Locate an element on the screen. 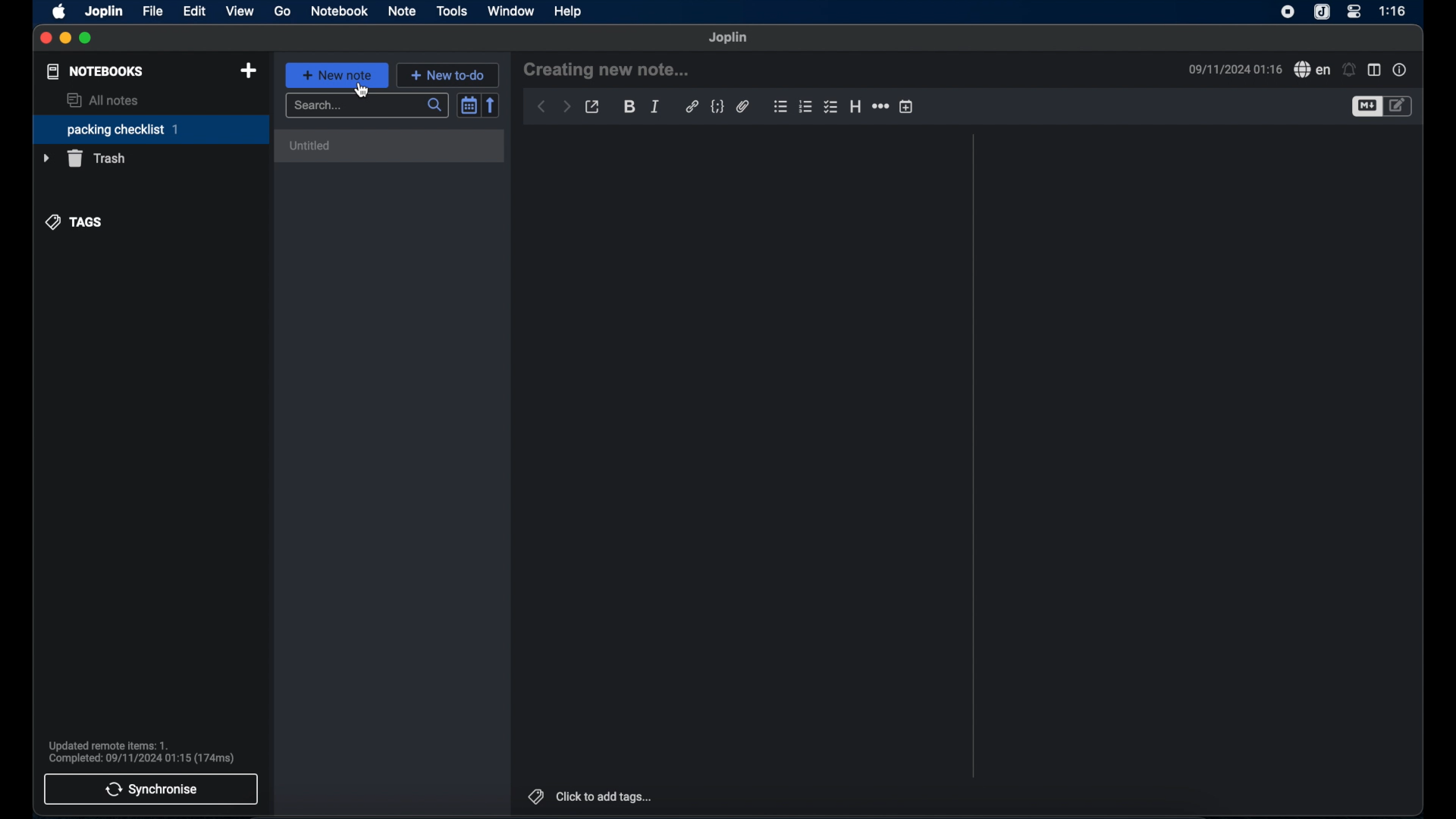 Image resolution: width=1456 pixels, height=819 pixels. back is located at coordinates (541, 107).